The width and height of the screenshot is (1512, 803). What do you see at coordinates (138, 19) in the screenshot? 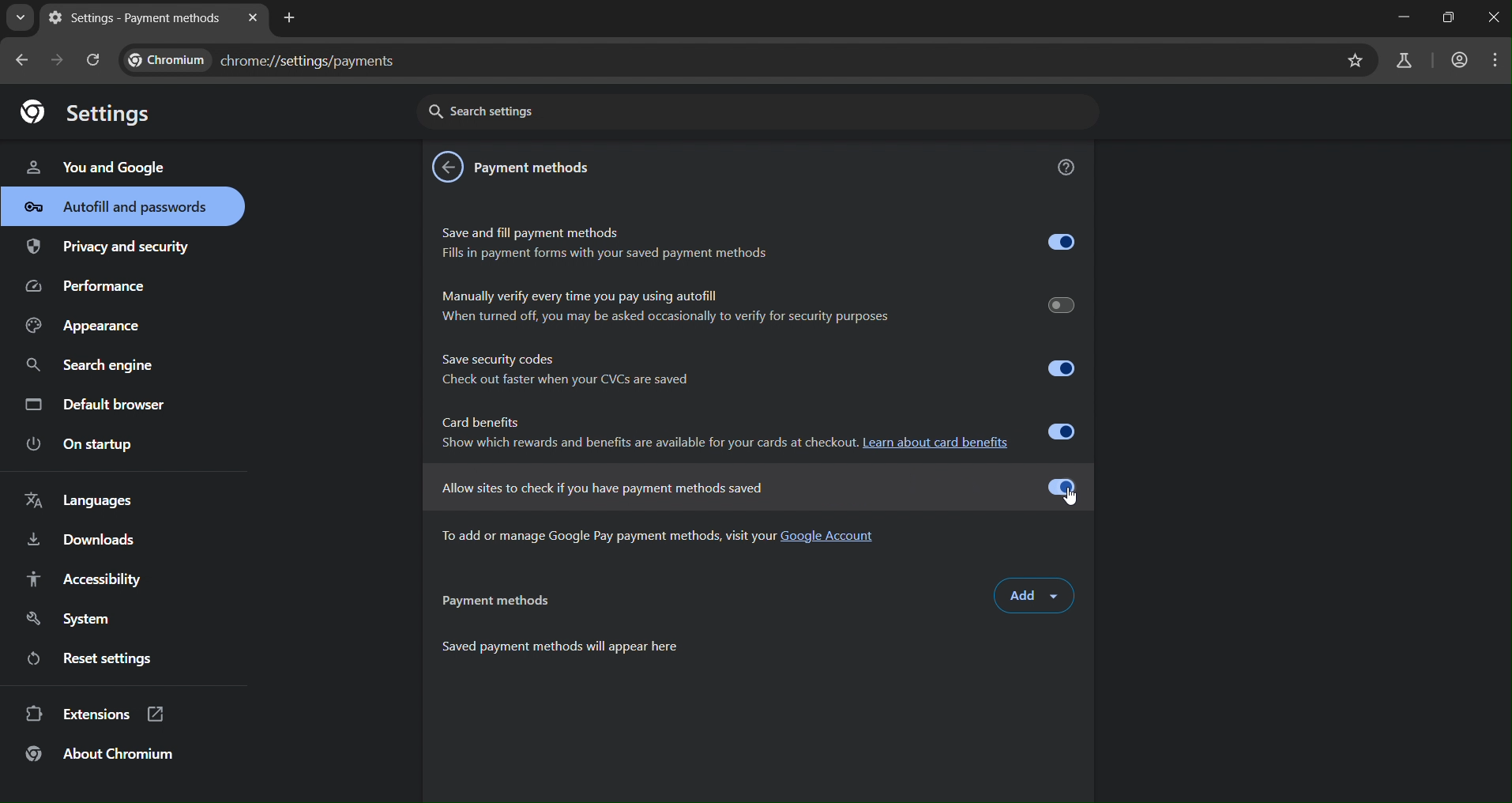
I see `current tab` at bounding box center [138, 19].